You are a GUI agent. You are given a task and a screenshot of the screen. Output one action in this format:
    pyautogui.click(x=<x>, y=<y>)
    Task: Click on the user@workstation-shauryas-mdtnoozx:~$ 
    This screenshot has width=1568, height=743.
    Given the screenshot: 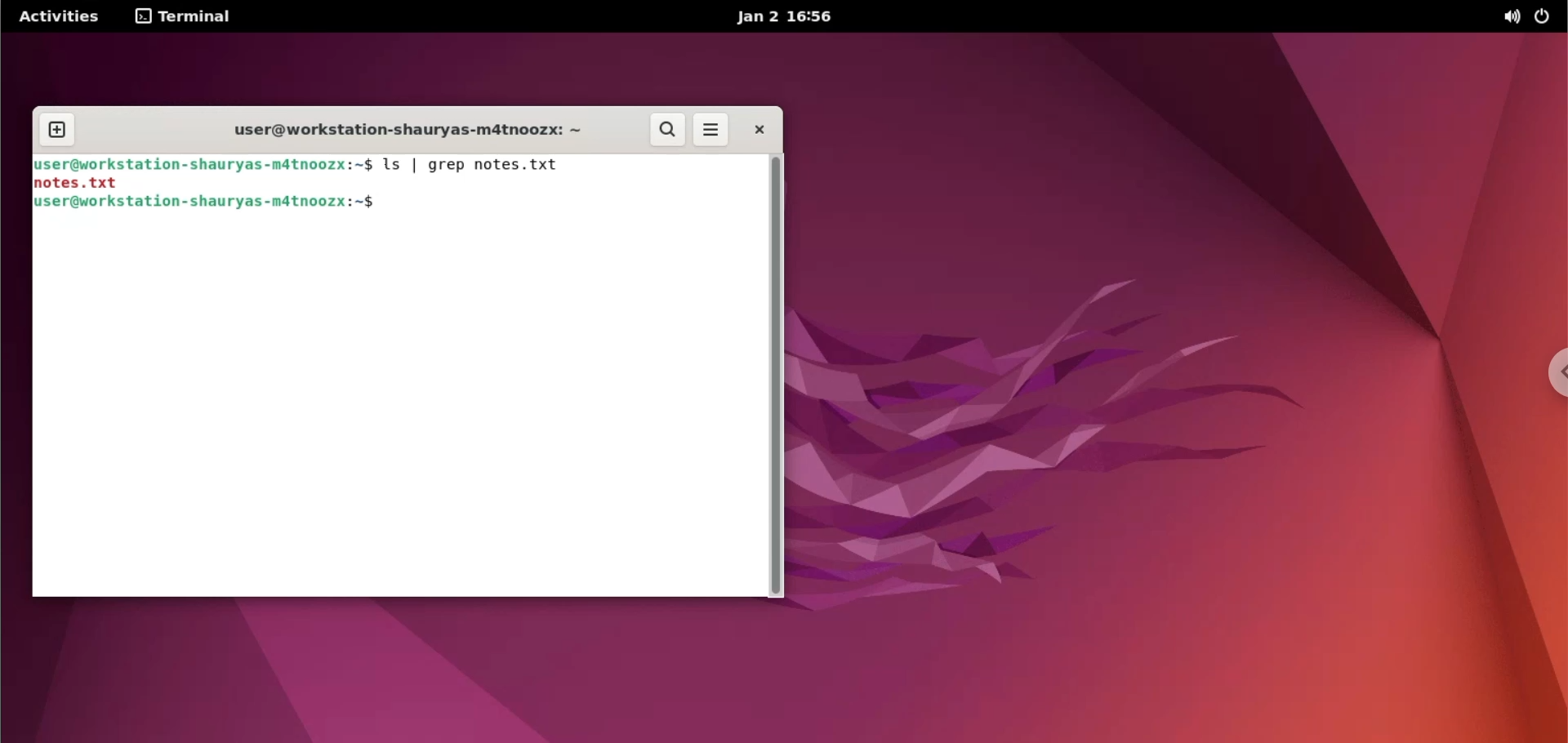 What is the action you would take?
    pyautogui.click(x=205, y=163)
    